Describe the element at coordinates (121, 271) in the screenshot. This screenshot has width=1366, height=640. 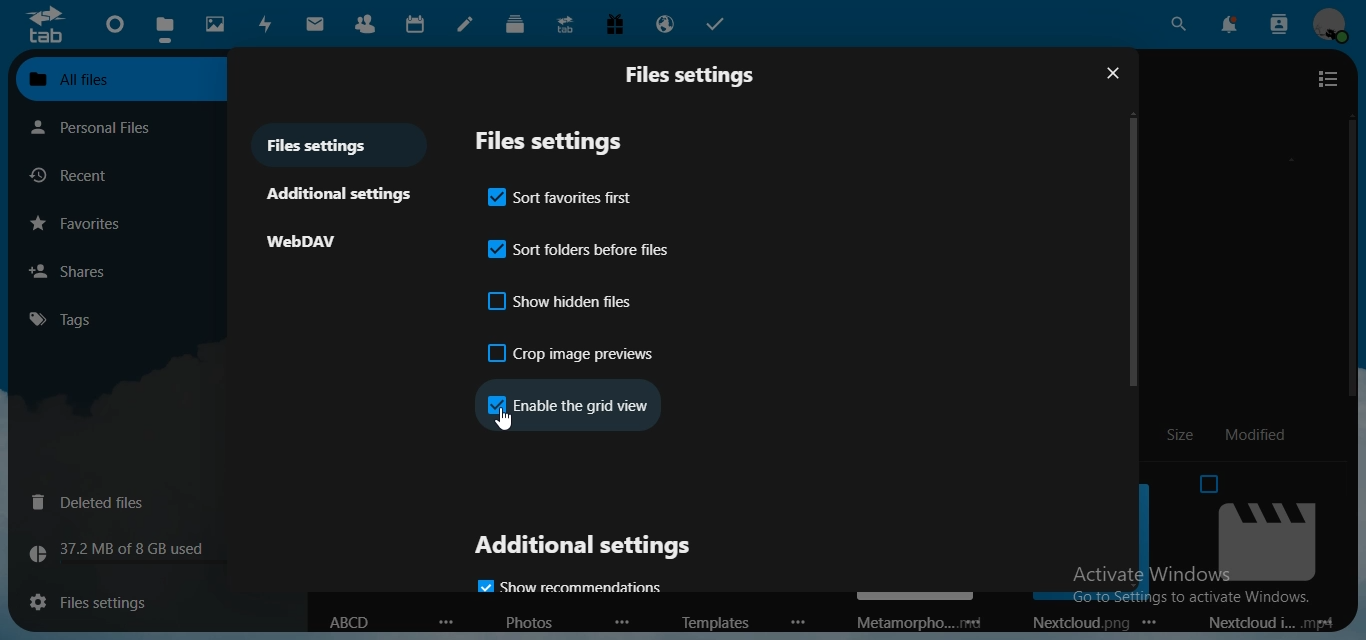
I see `shares` at that location.